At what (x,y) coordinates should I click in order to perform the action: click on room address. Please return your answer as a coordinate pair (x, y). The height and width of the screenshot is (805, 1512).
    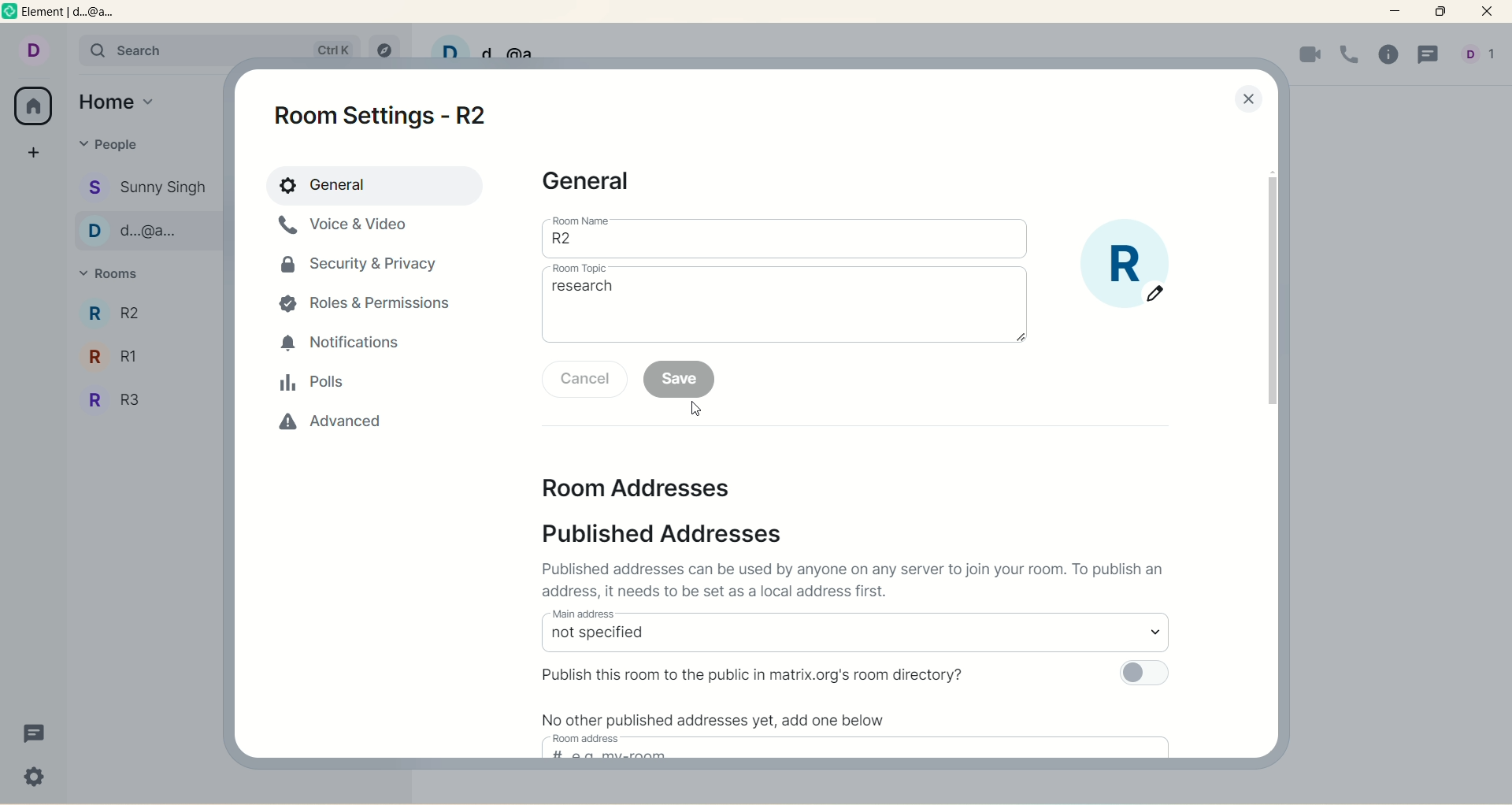
    Looking at the image, I should click on (589, 738).